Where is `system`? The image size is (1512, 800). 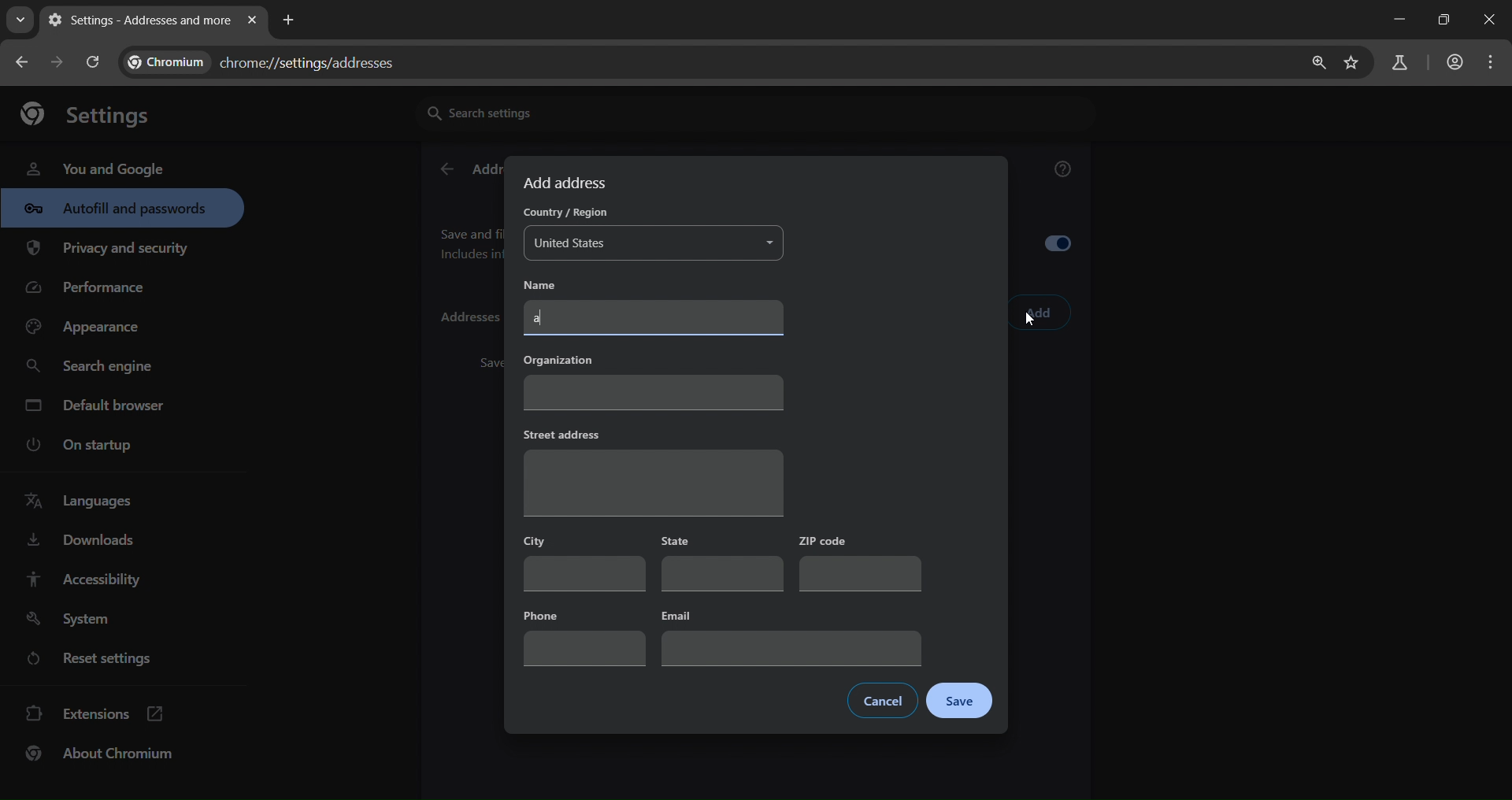 system is located at coordinates (72, 620).